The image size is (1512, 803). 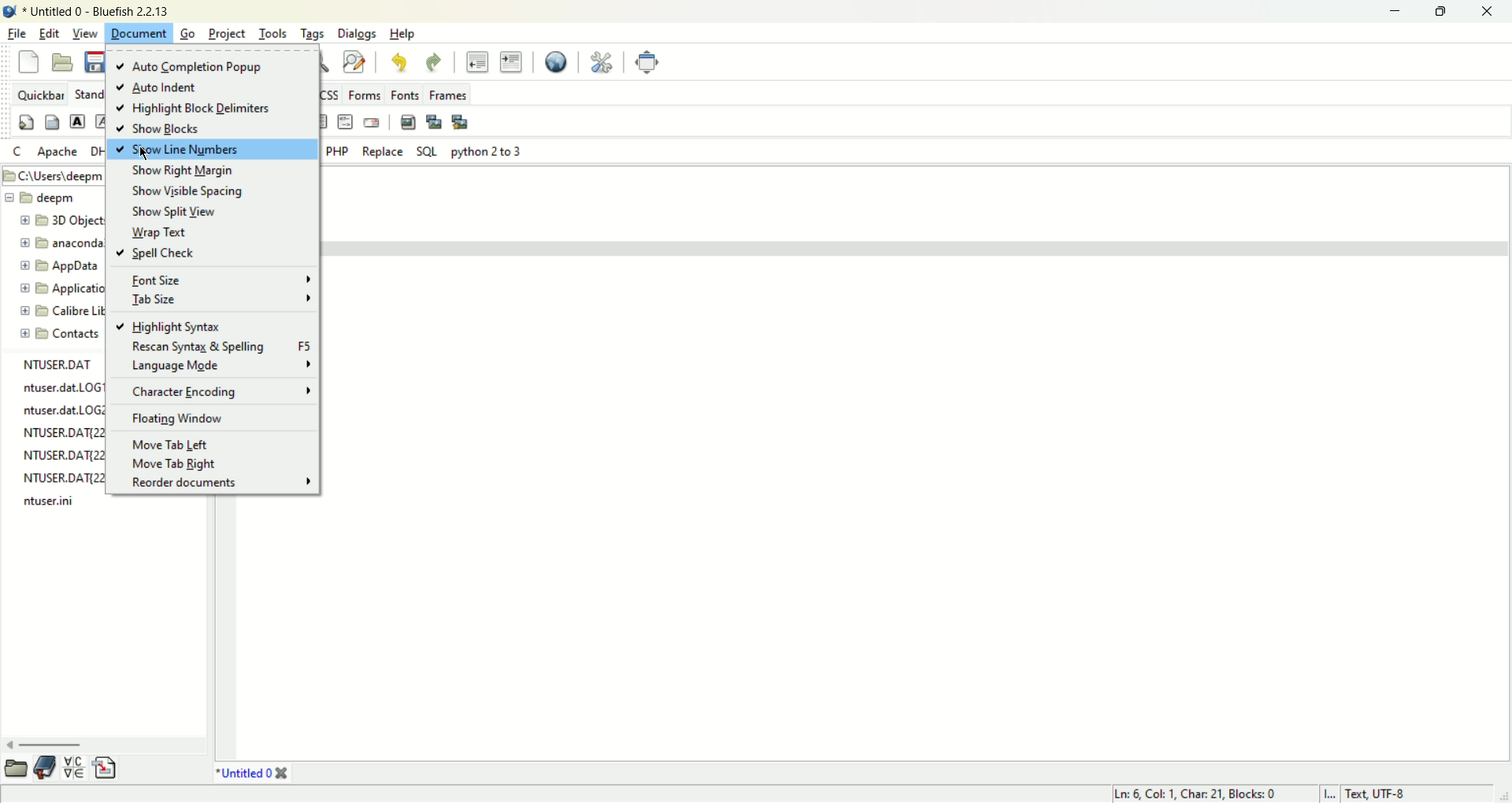 What do you see at coordinates (1333, 794) in the screenshot?
I see `I` at bounding box center [1333, 794].